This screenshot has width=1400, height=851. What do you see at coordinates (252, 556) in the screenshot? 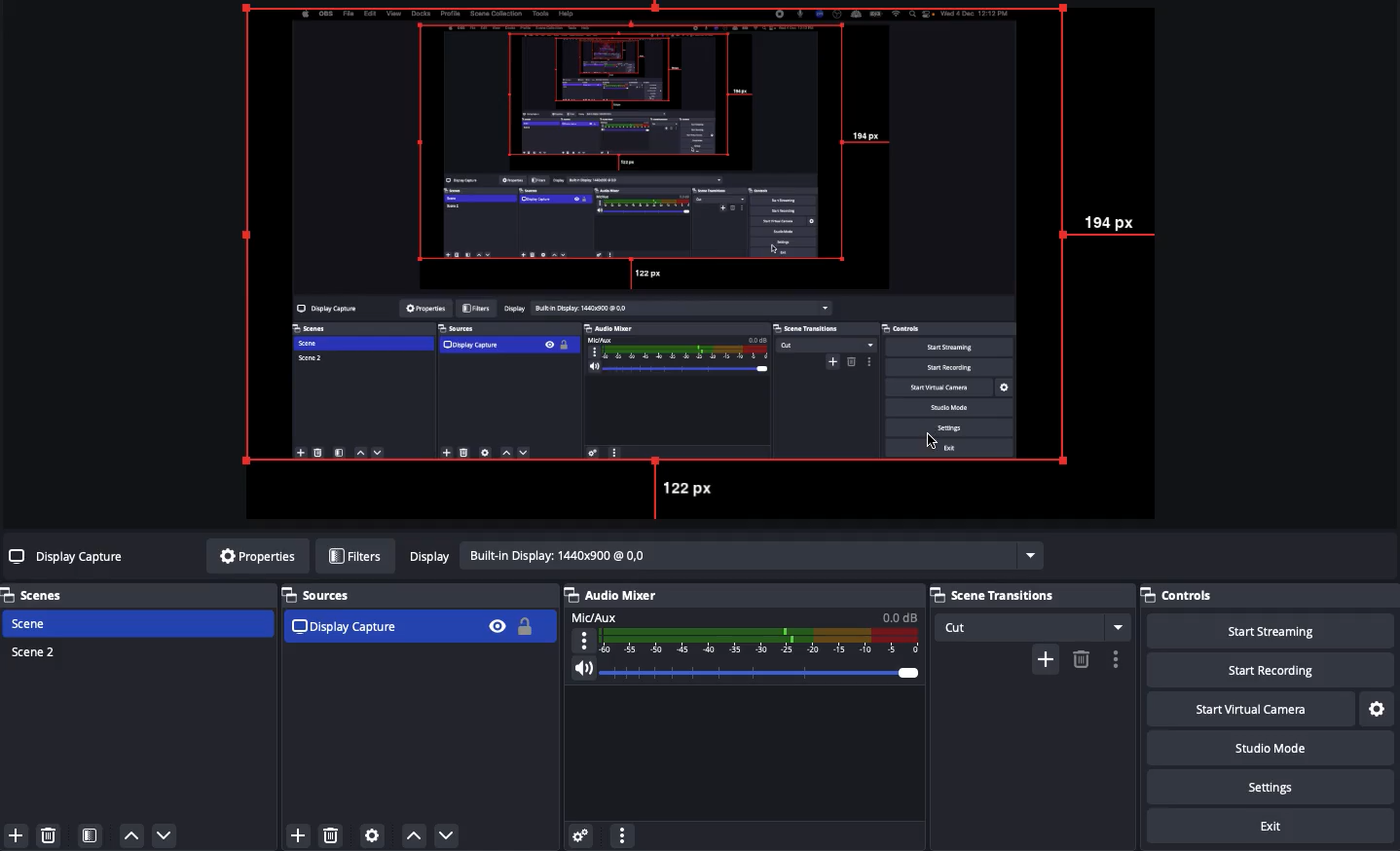
I see `Properties` at bounding box center [252, 556].